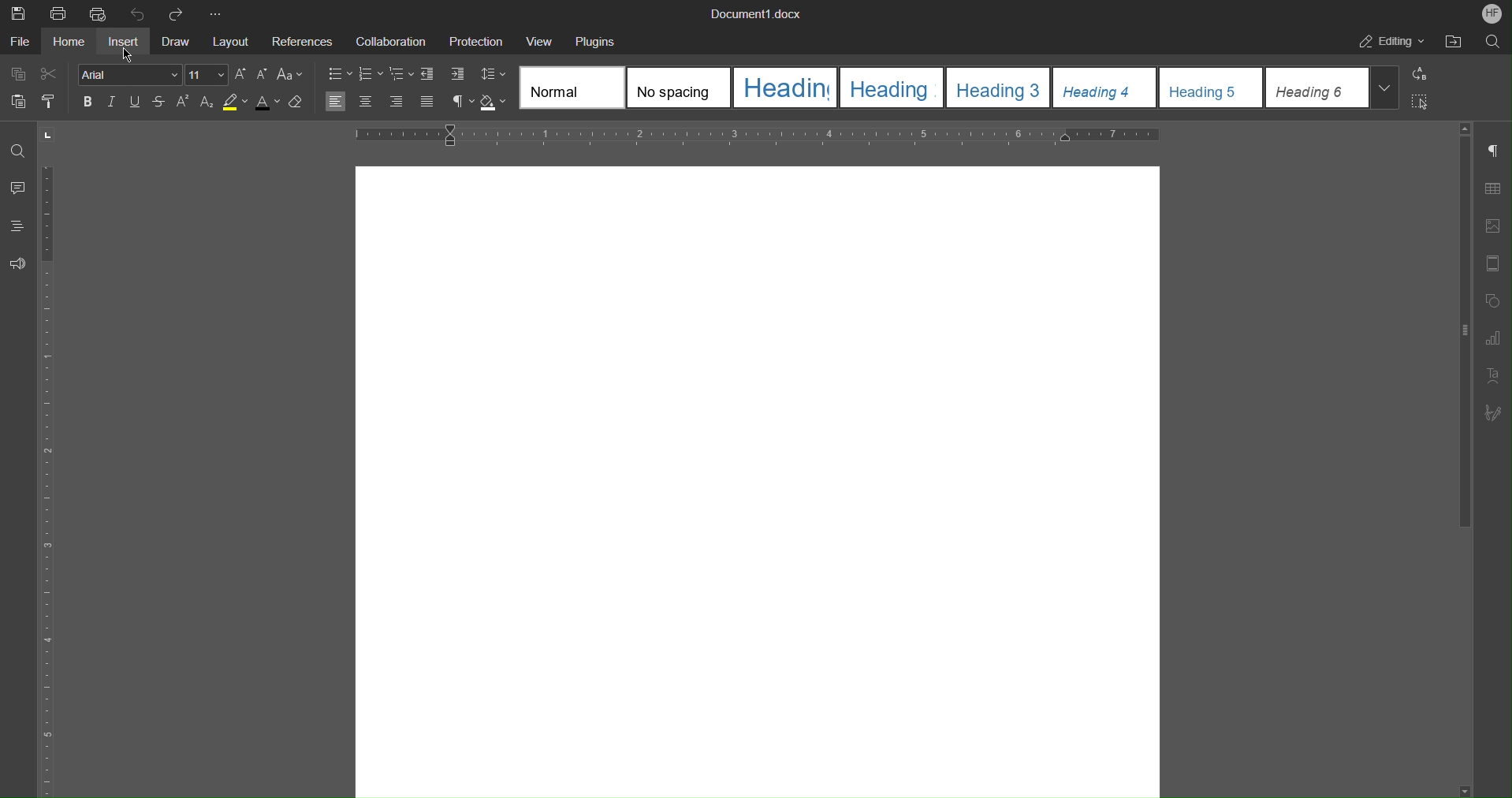 The image size is (1512, 798). I want to click on Decrease Font Size, so click(263, 75).